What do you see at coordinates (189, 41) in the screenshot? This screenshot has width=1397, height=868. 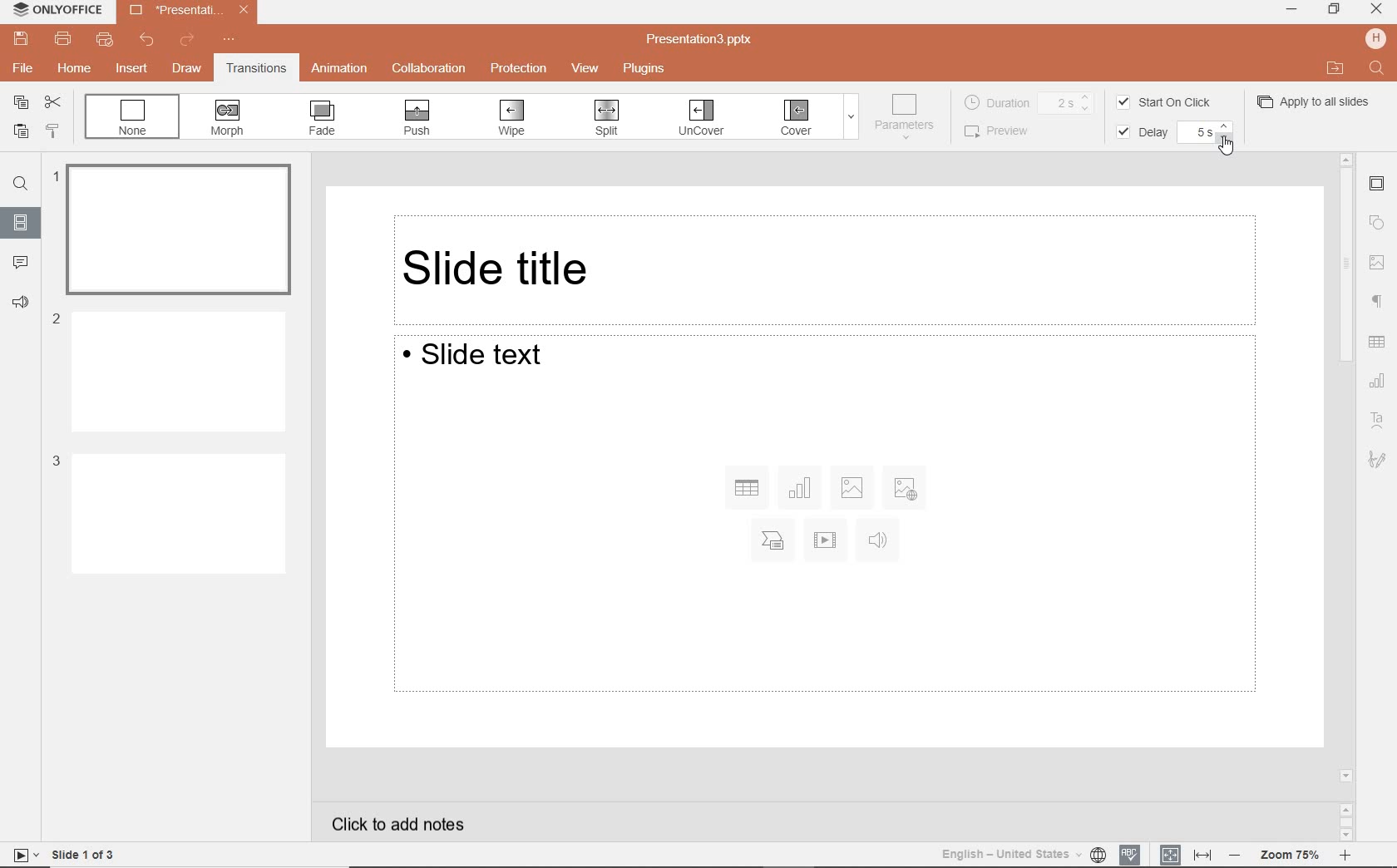 I see `redo` at bounding box center [189, 41].